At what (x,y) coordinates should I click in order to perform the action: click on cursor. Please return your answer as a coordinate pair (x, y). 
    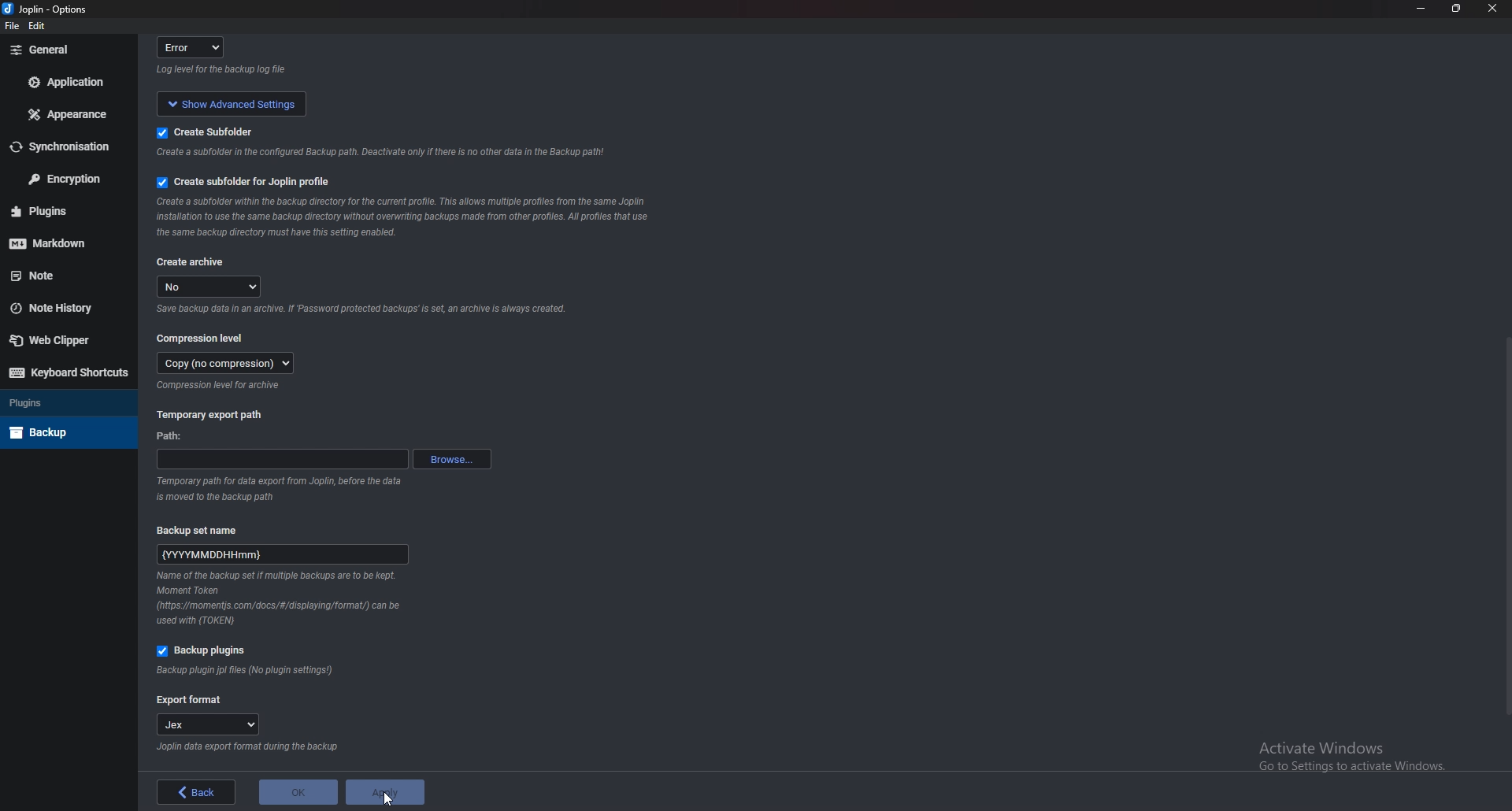
    Looking at the image, I should click on (384, 800).